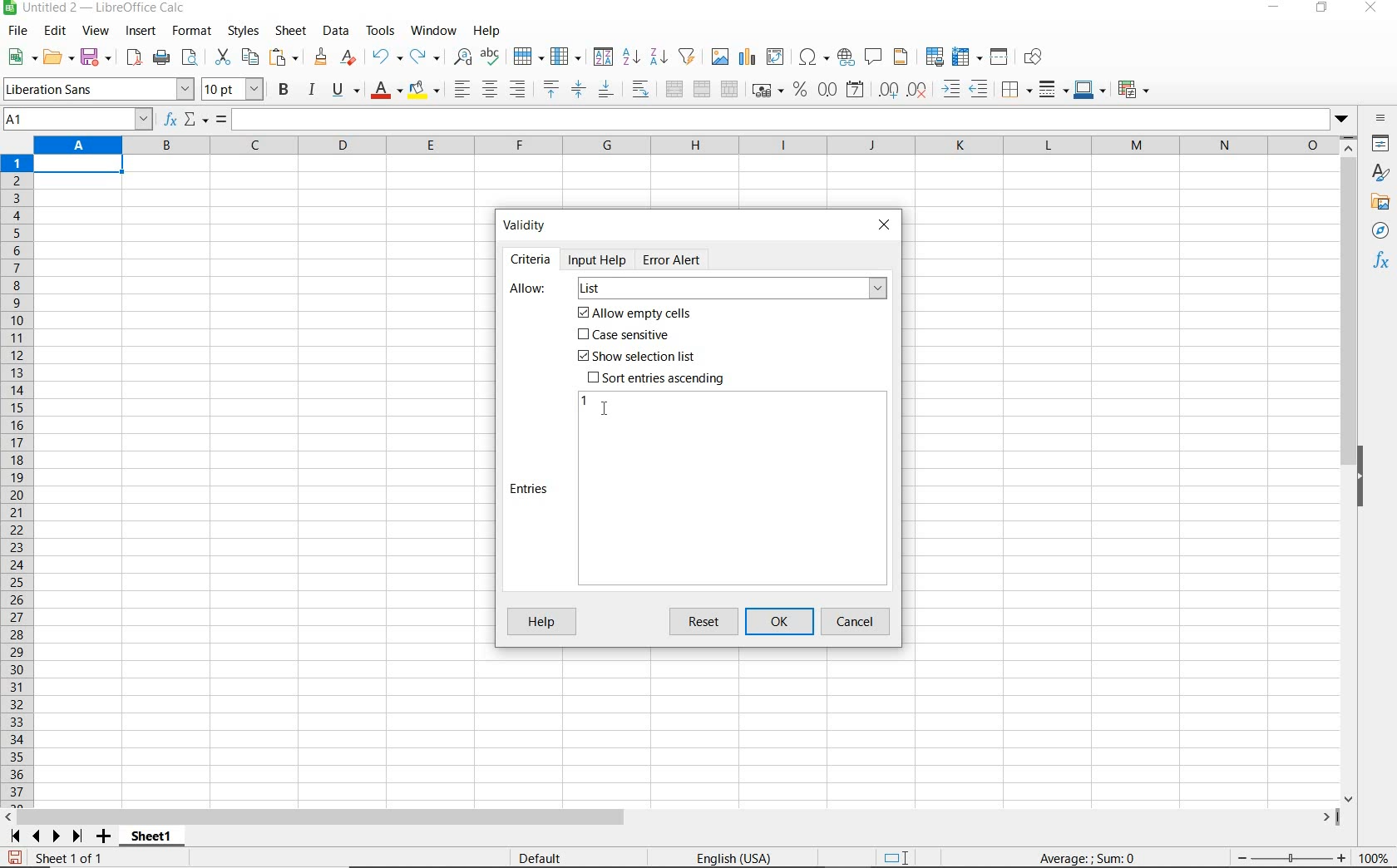 The height and width of the screenshot is (868, 1397). Describe the element at coordinates (486, 31) in the screenshot. I see `help` at that location.